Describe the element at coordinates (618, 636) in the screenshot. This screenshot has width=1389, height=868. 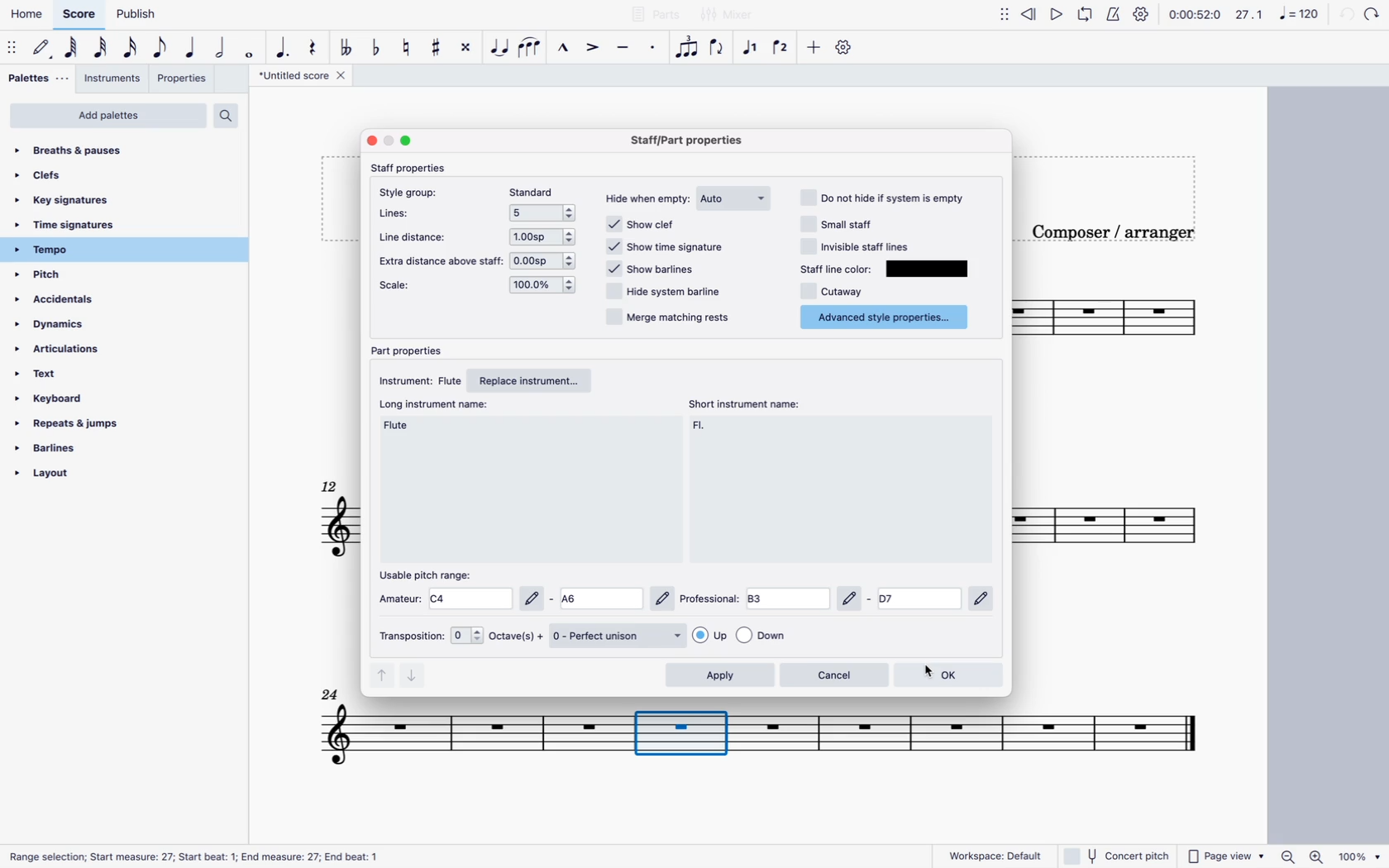
I see `perfect unison` at that location.